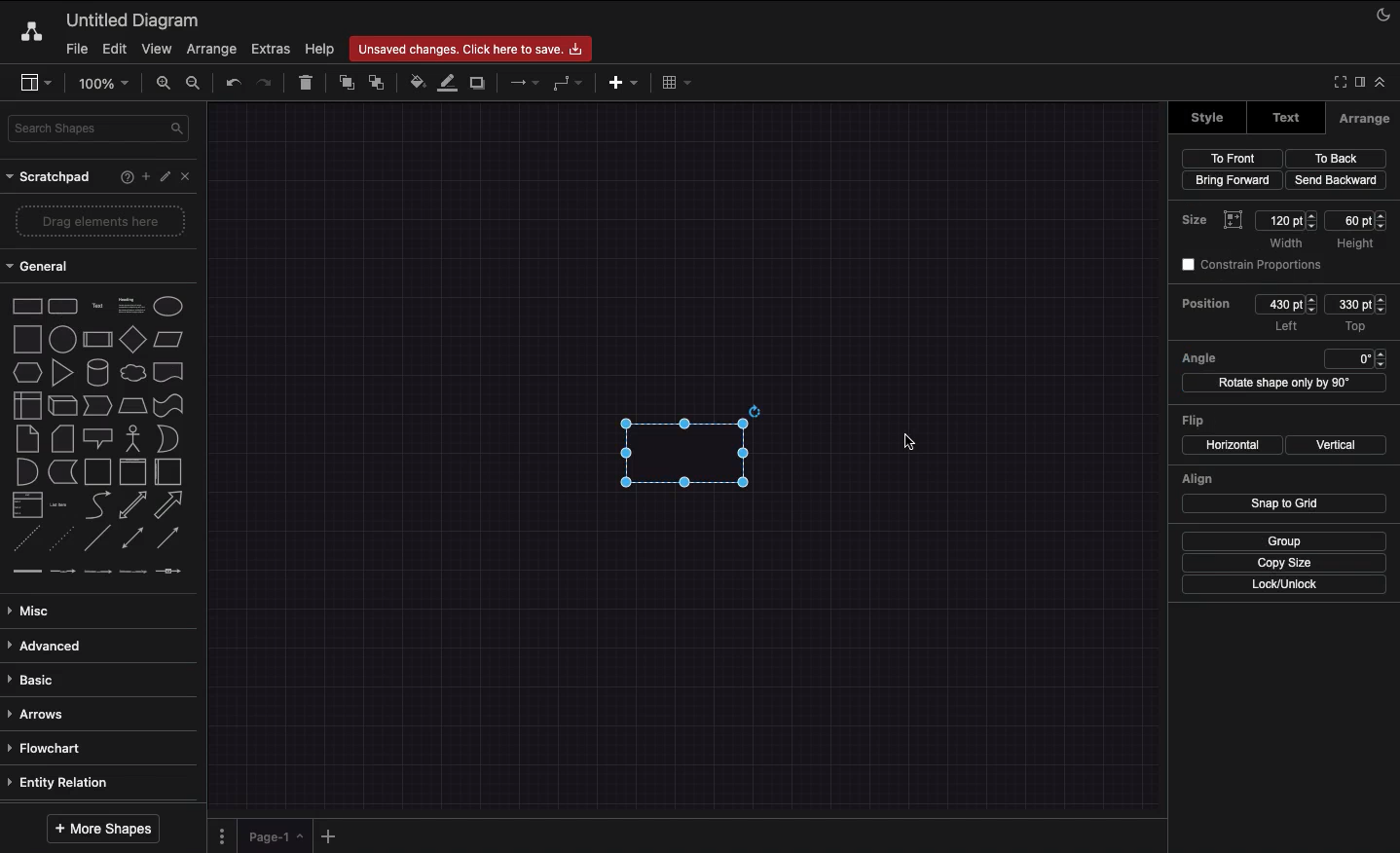  I want to click on style, so click(1208, 118).